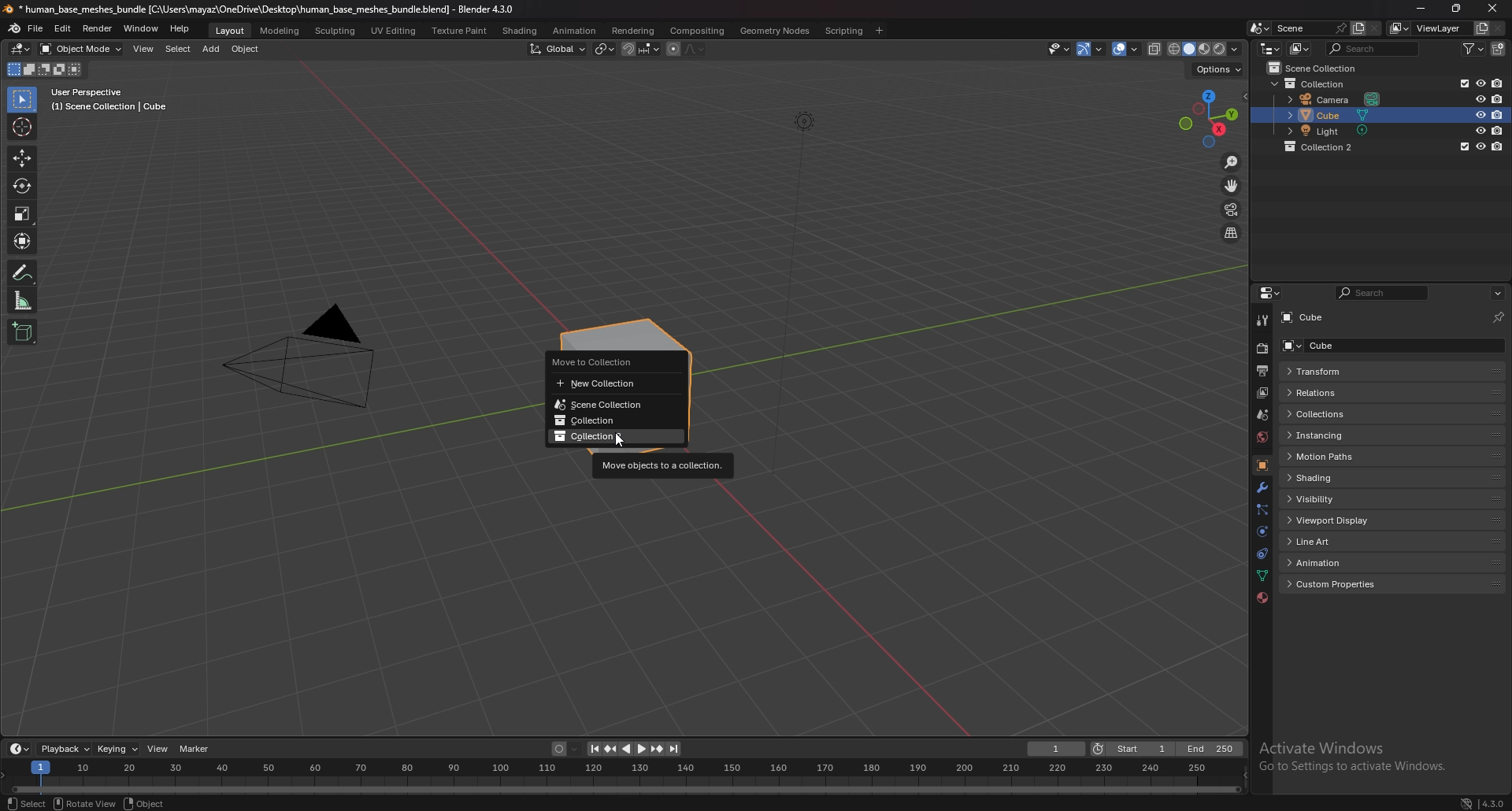 This screenshot has width=1512, height=811. What do you see at coordinates (521, 31) in the screenshot?
I see `shading` at bounding box center [521, 31].